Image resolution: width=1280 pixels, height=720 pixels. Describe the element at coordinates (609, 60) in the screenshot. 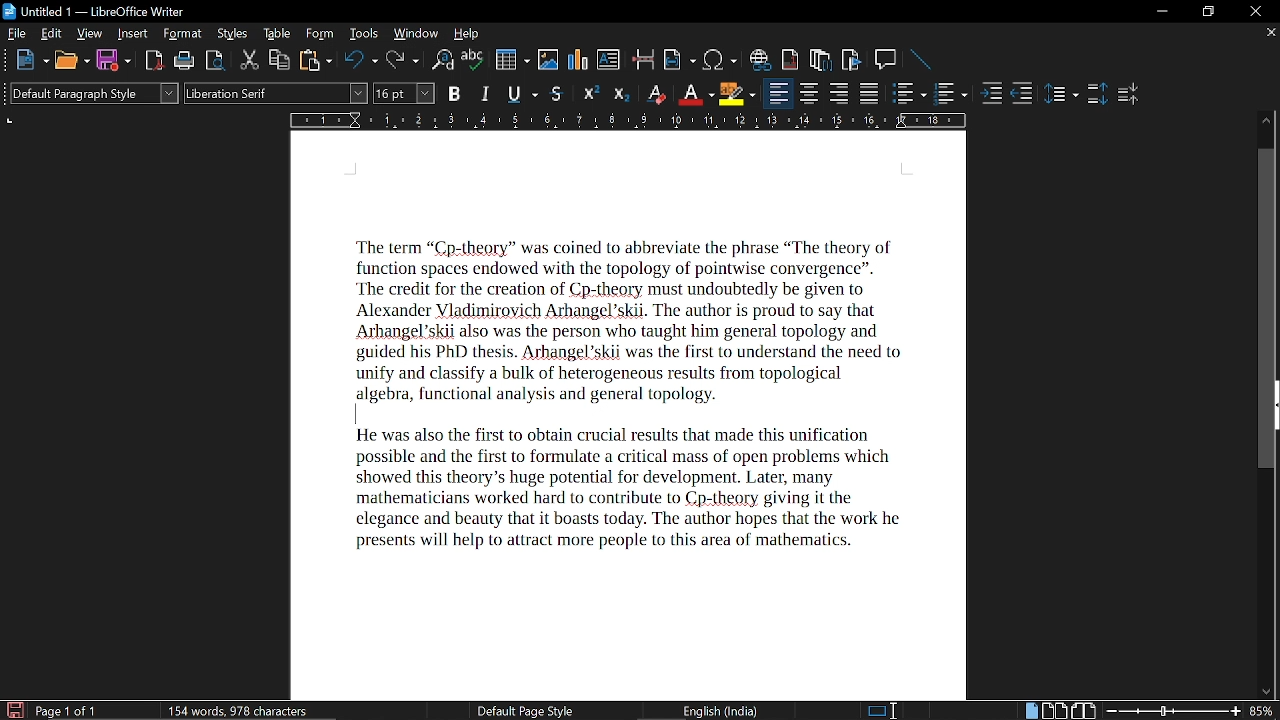

I see `Insert text` at that location.